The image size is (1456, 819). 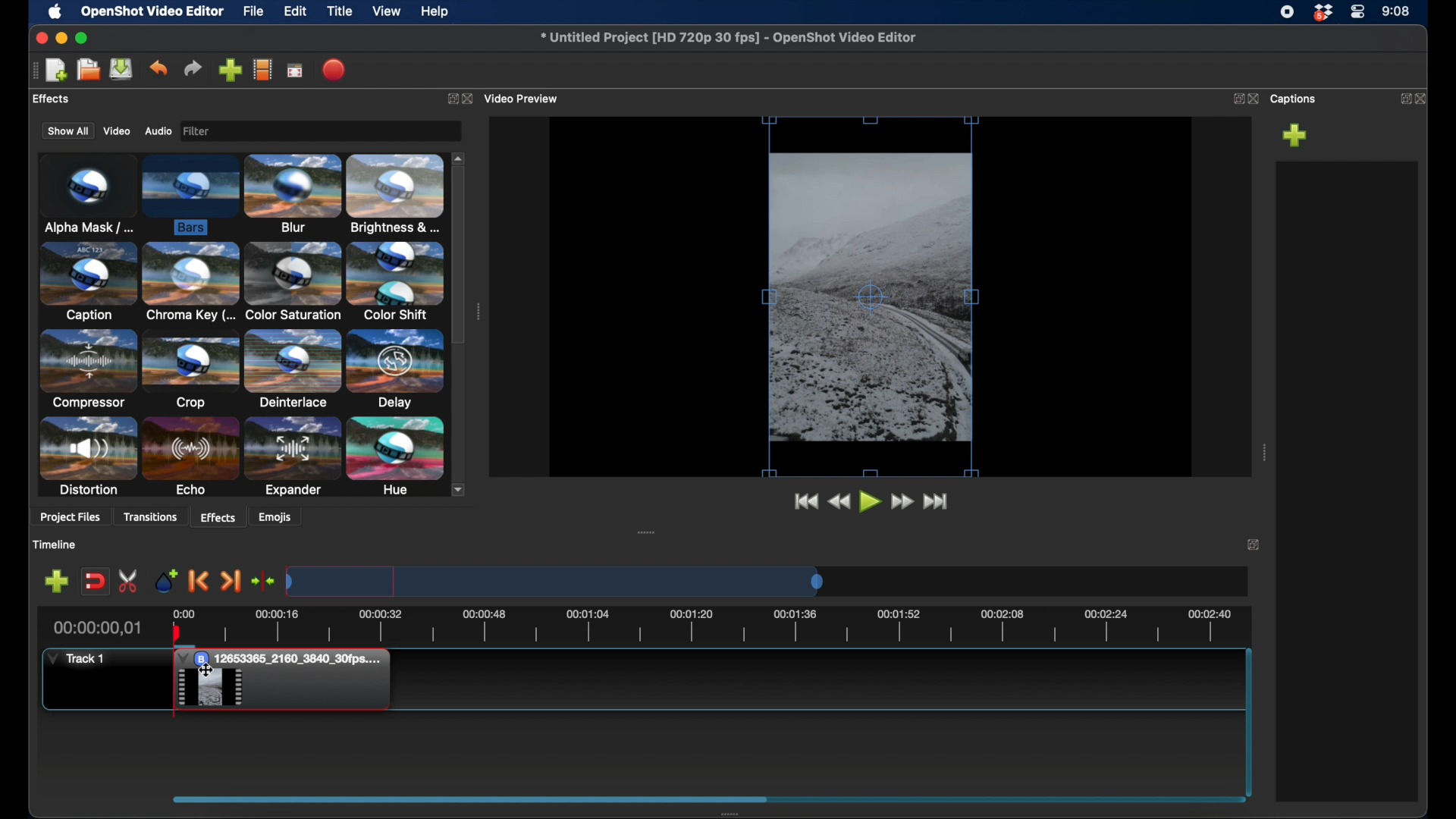 I want to click on expand, so click(x=1401, y=98).